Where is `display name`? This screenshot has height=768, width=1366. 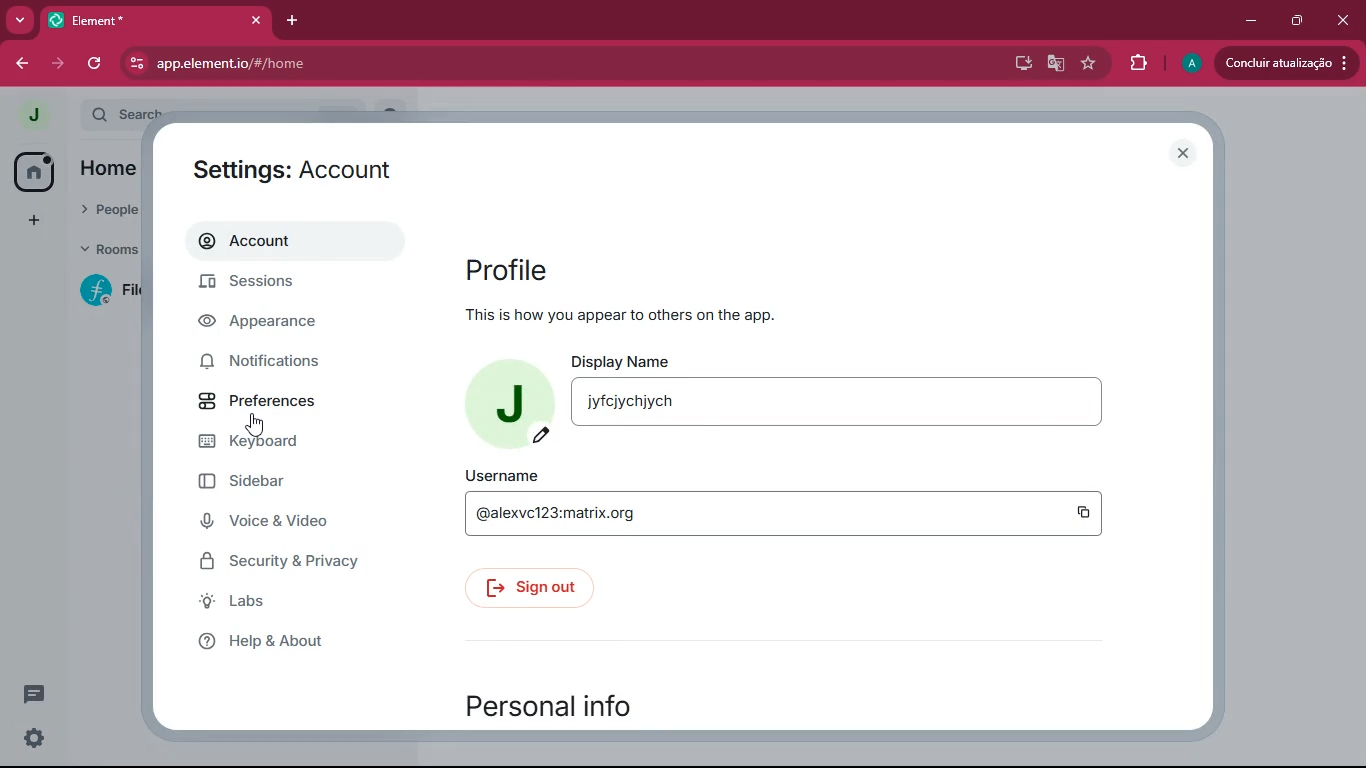
display name is located at coordinates (624, 362).